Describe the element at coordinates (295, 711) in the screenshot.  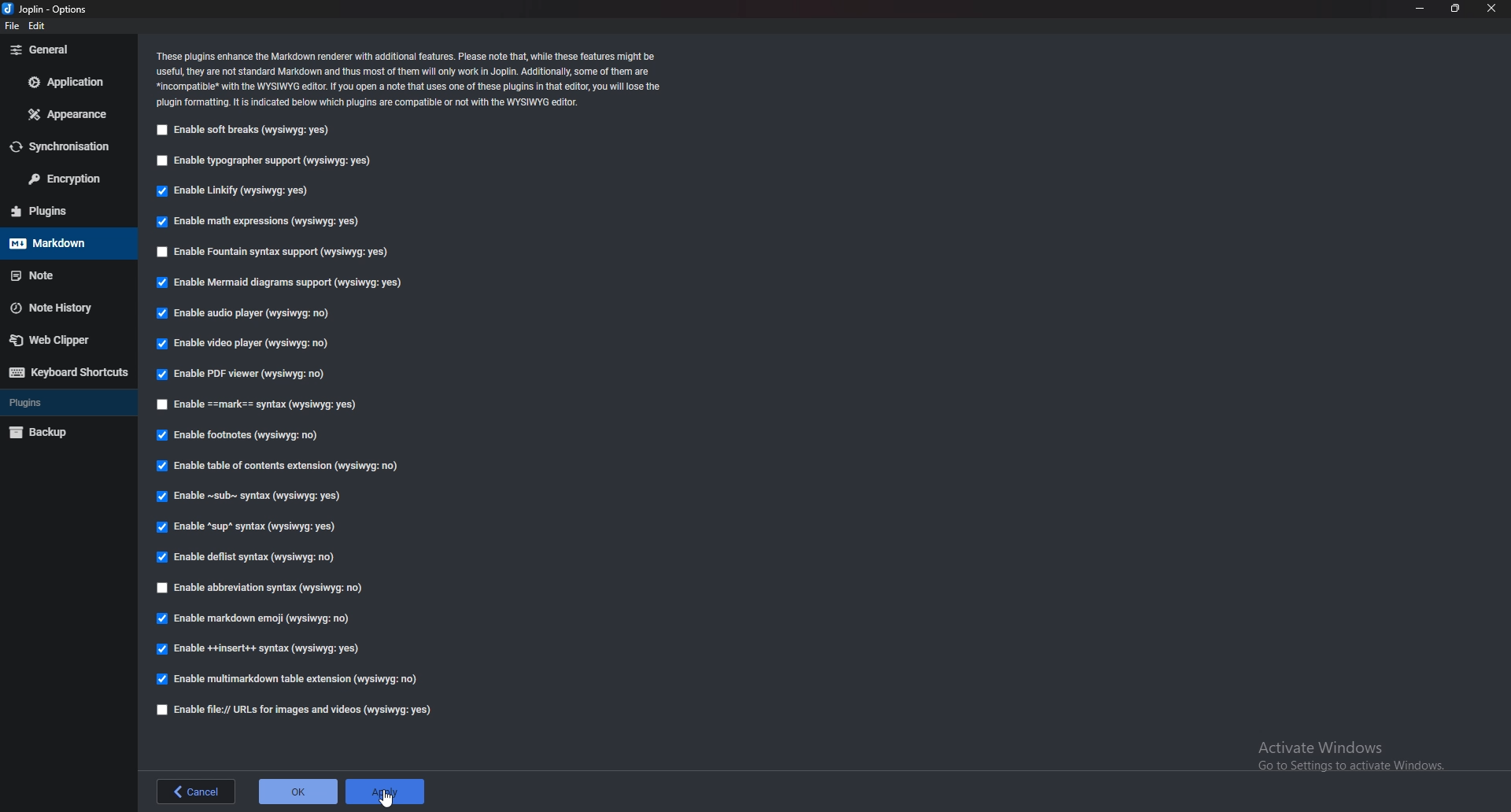
I see `enable file urls for images and videos` at that location.